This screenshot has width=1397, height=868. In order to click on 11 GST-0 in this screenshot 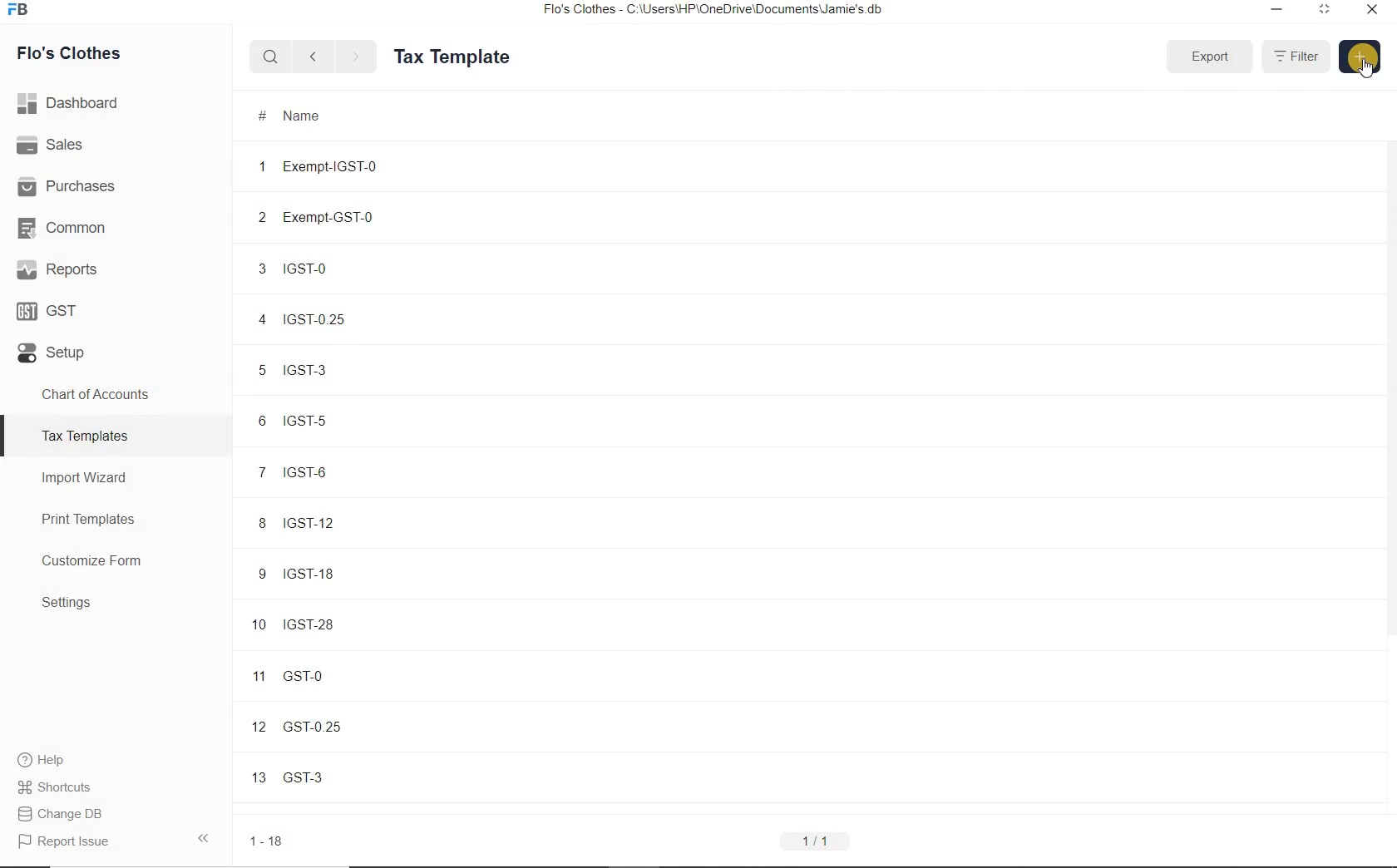, I will do `click(348, 674)`.